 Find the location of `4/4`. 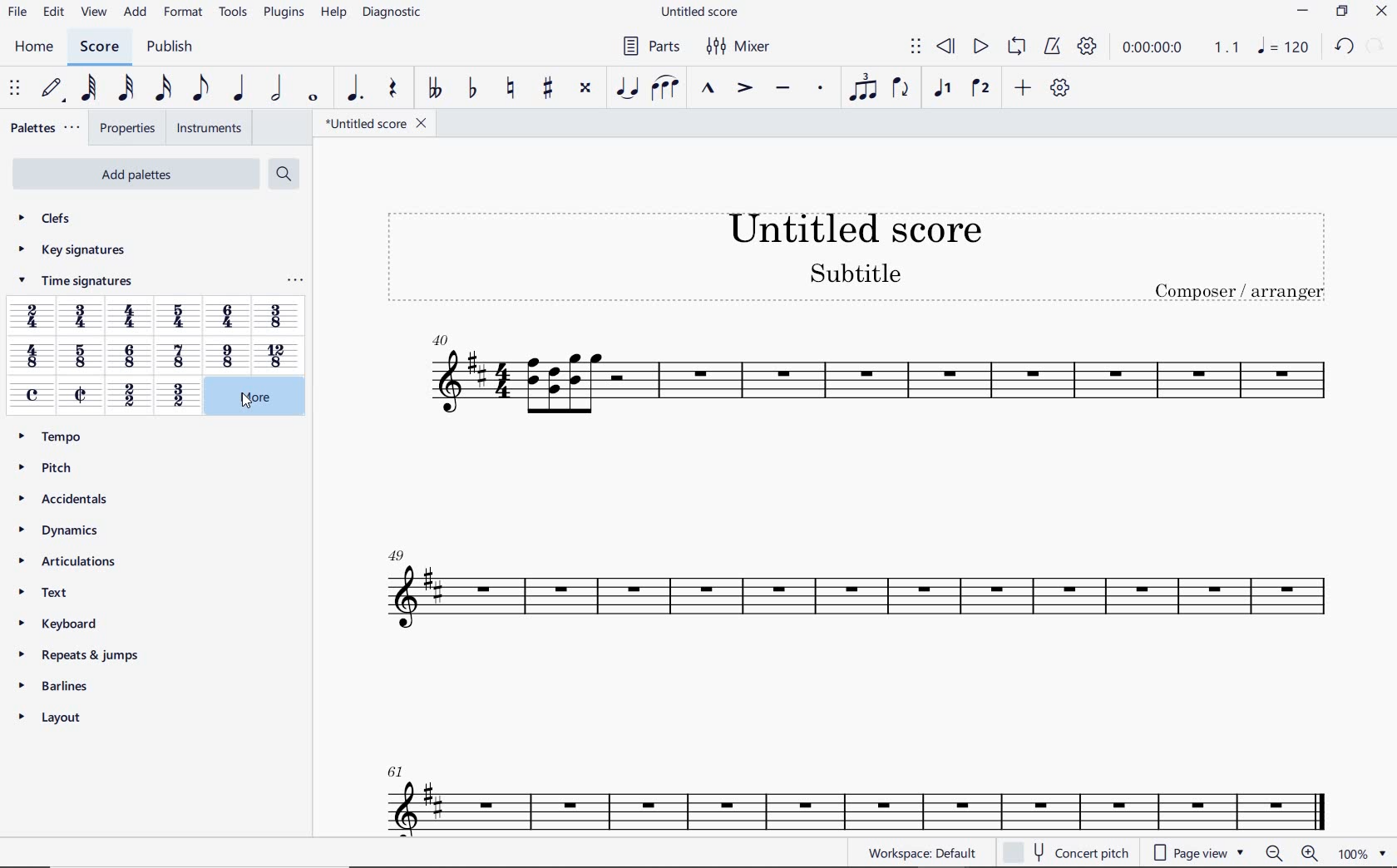

4/4 is located at coordinates (132, 318).